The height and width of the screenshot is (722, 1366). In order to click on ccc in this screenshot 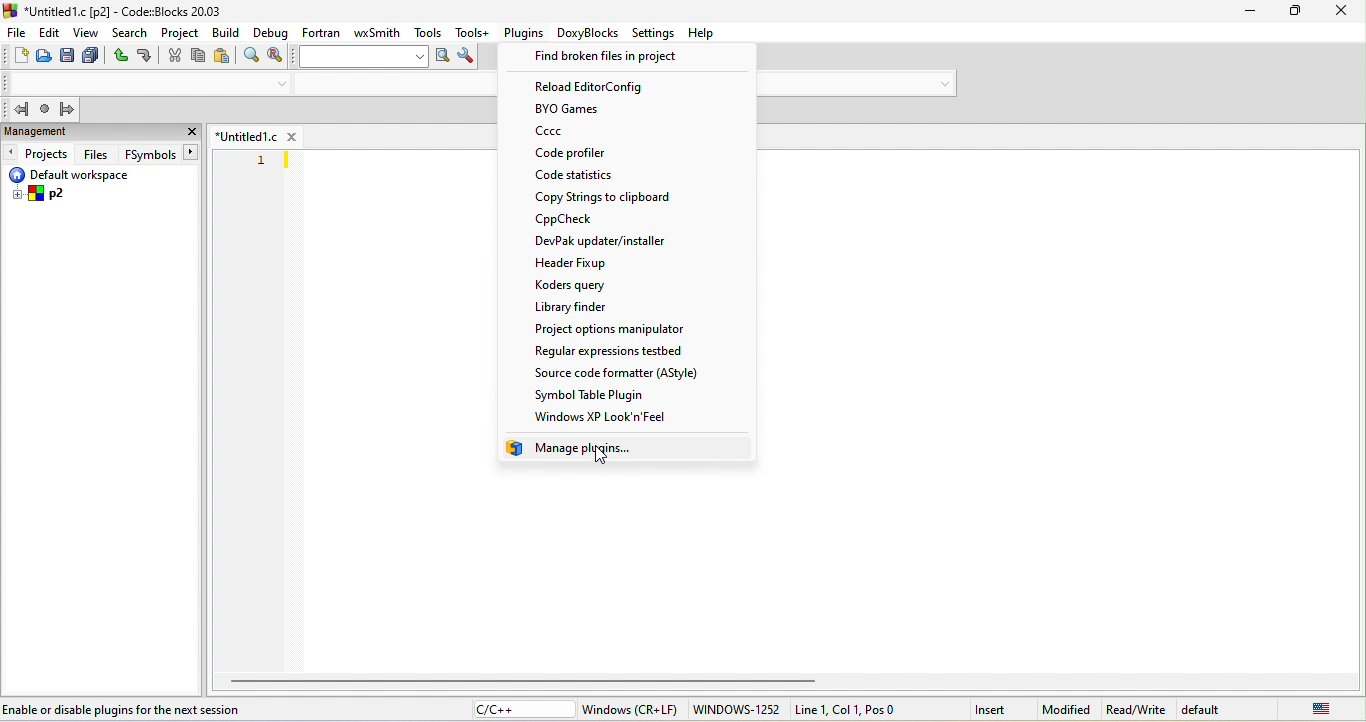, I will do `click(586, 133)`.